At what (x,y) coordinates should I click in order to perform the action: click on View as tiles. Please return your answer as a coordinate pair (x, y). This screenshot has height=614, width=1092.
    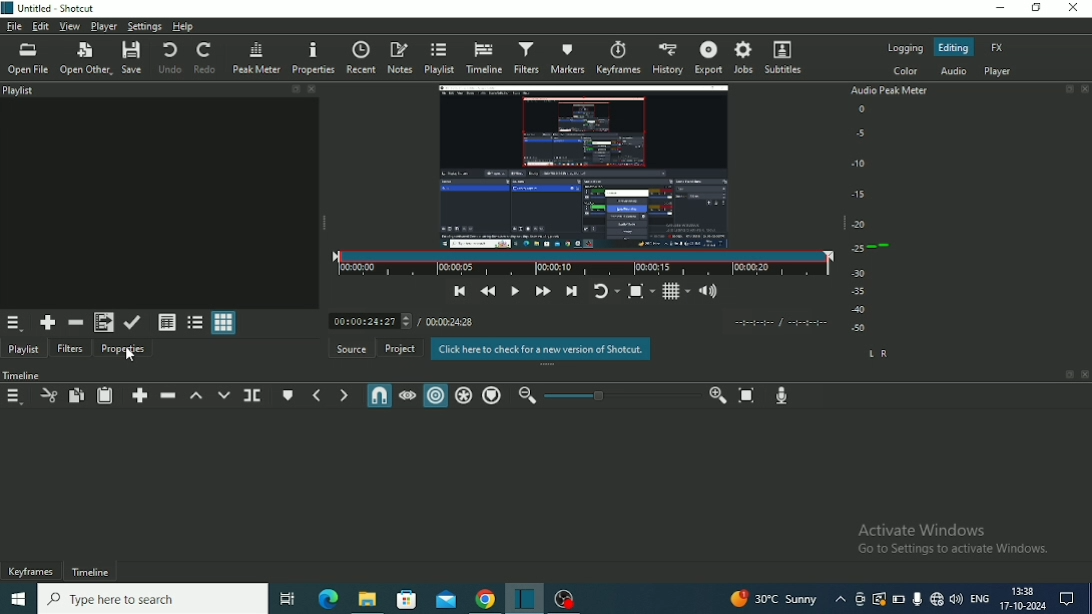
    Looking at the image, I should click on (194, 323).